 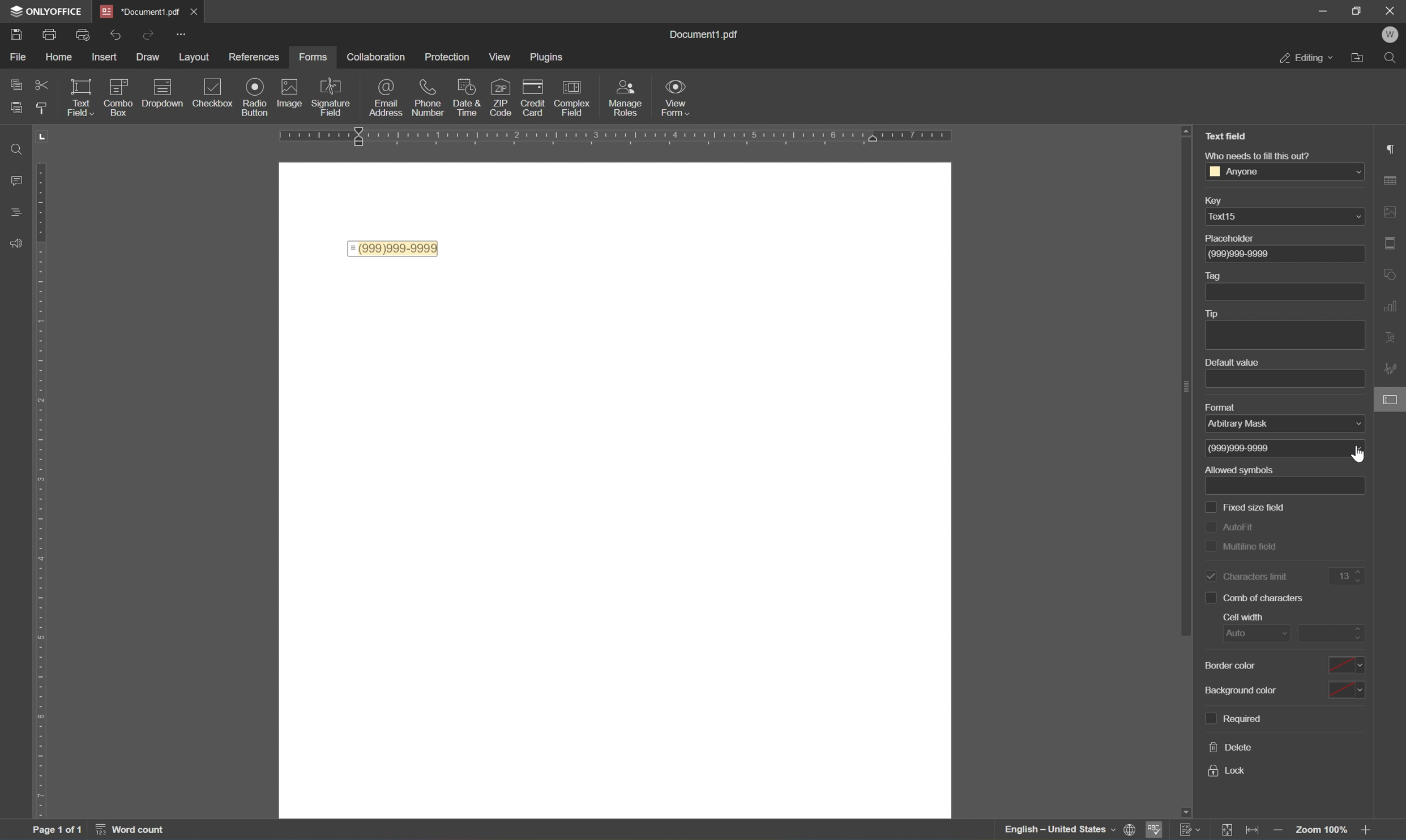 I want to click on zoom in, so click(x=1370, y=832).